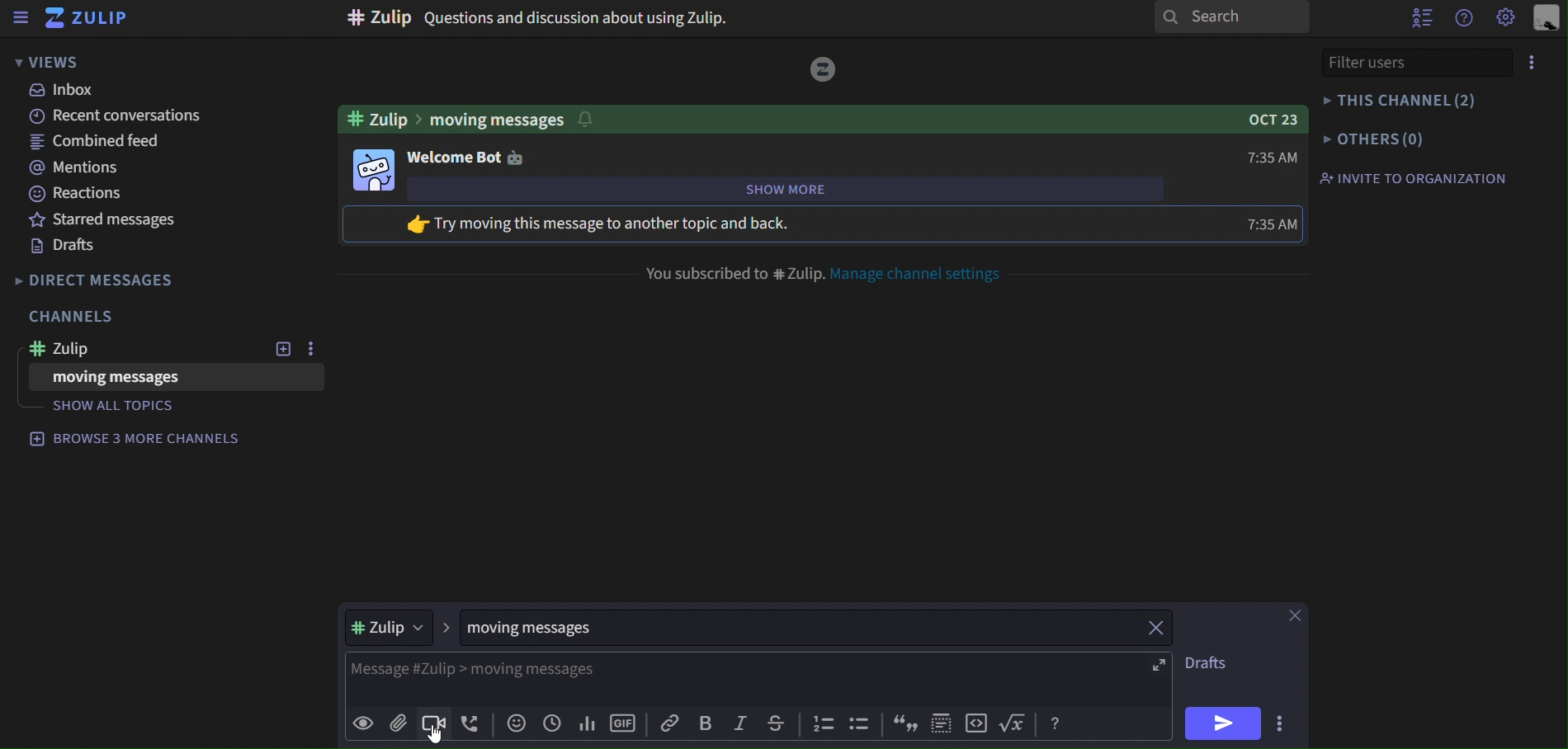  Describe the element at coordinates (95, 142) in the screenshot. I see `combined feed` at that location.